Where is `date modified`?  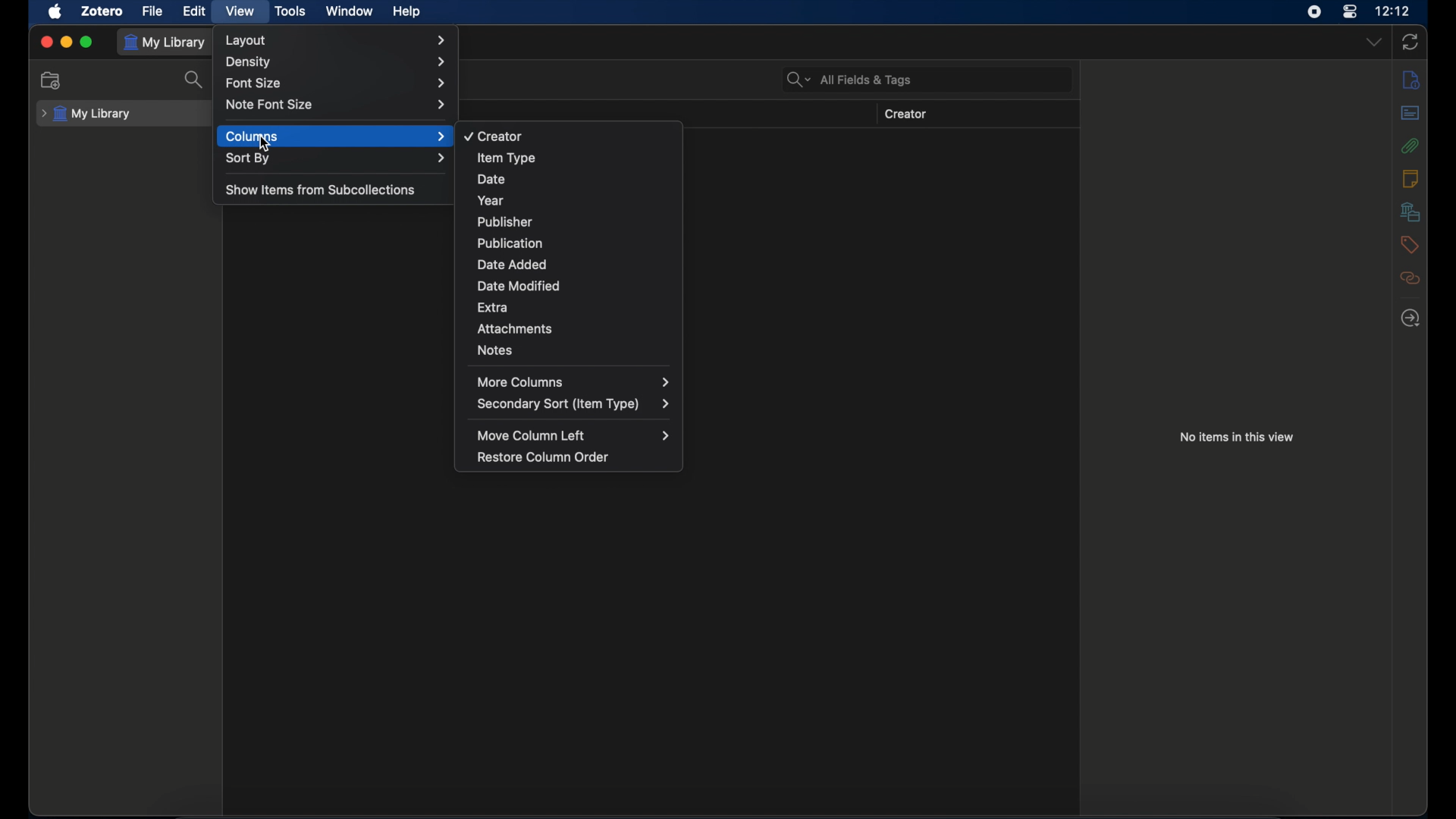 date modified is located at coordinates (520, 286).